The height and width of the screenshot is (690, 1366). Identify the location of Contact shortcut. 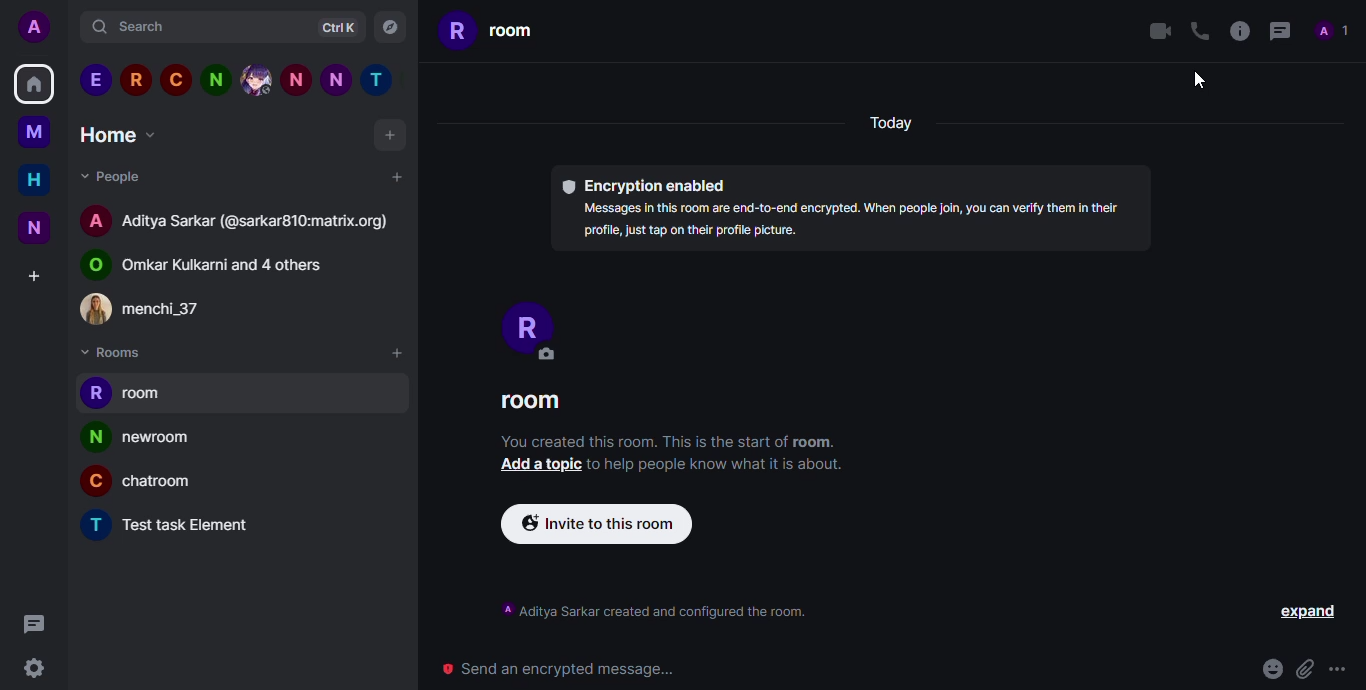
(336, 83).